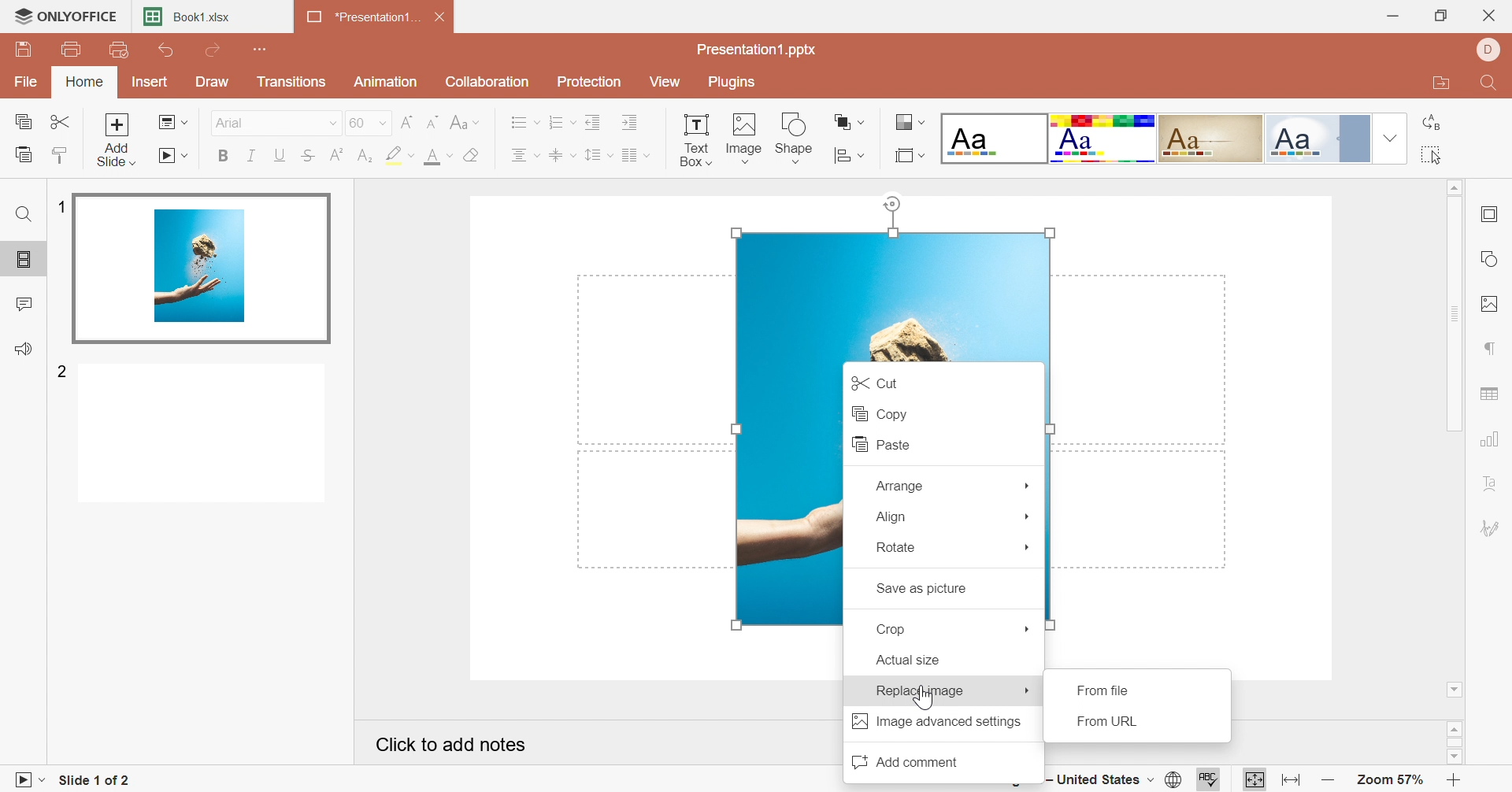 This screenshot has width=1512, height=792. Describe the element at coordinates (797, 139) in the screenshot. I see `Shape` at that location.